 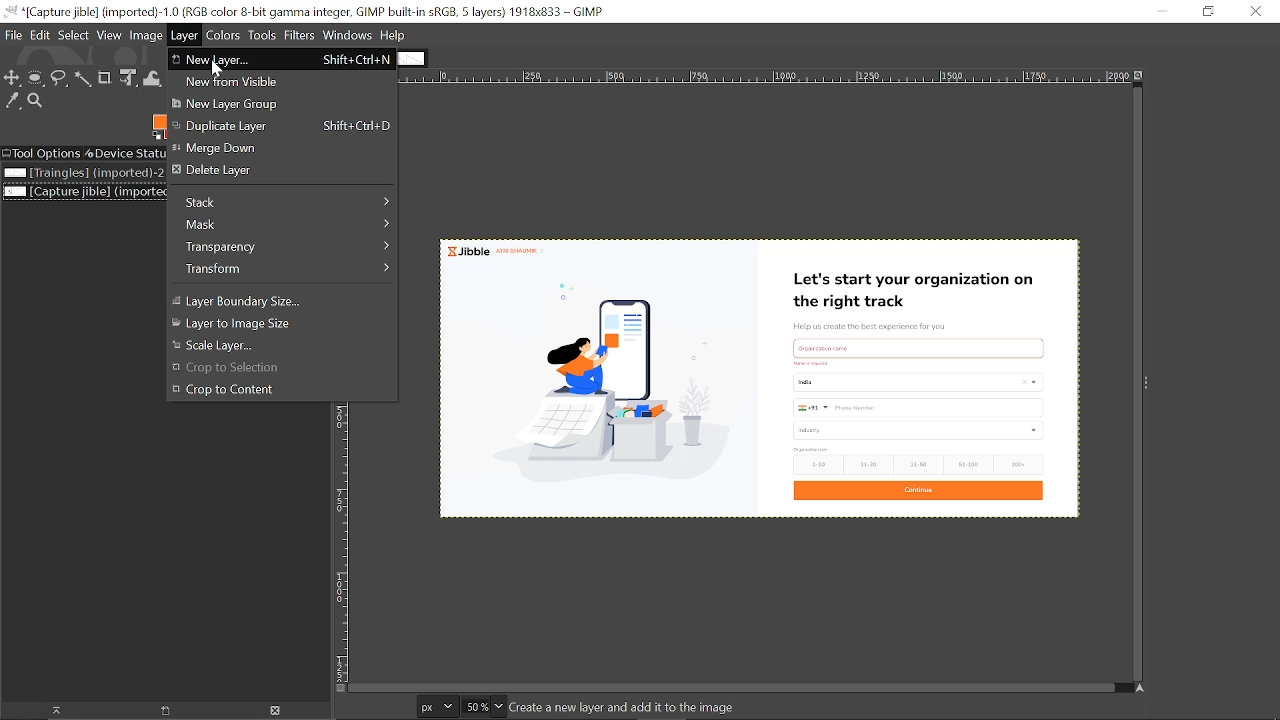 I want to click on Toggle quick mask on/off, so click(x=339, y=688).